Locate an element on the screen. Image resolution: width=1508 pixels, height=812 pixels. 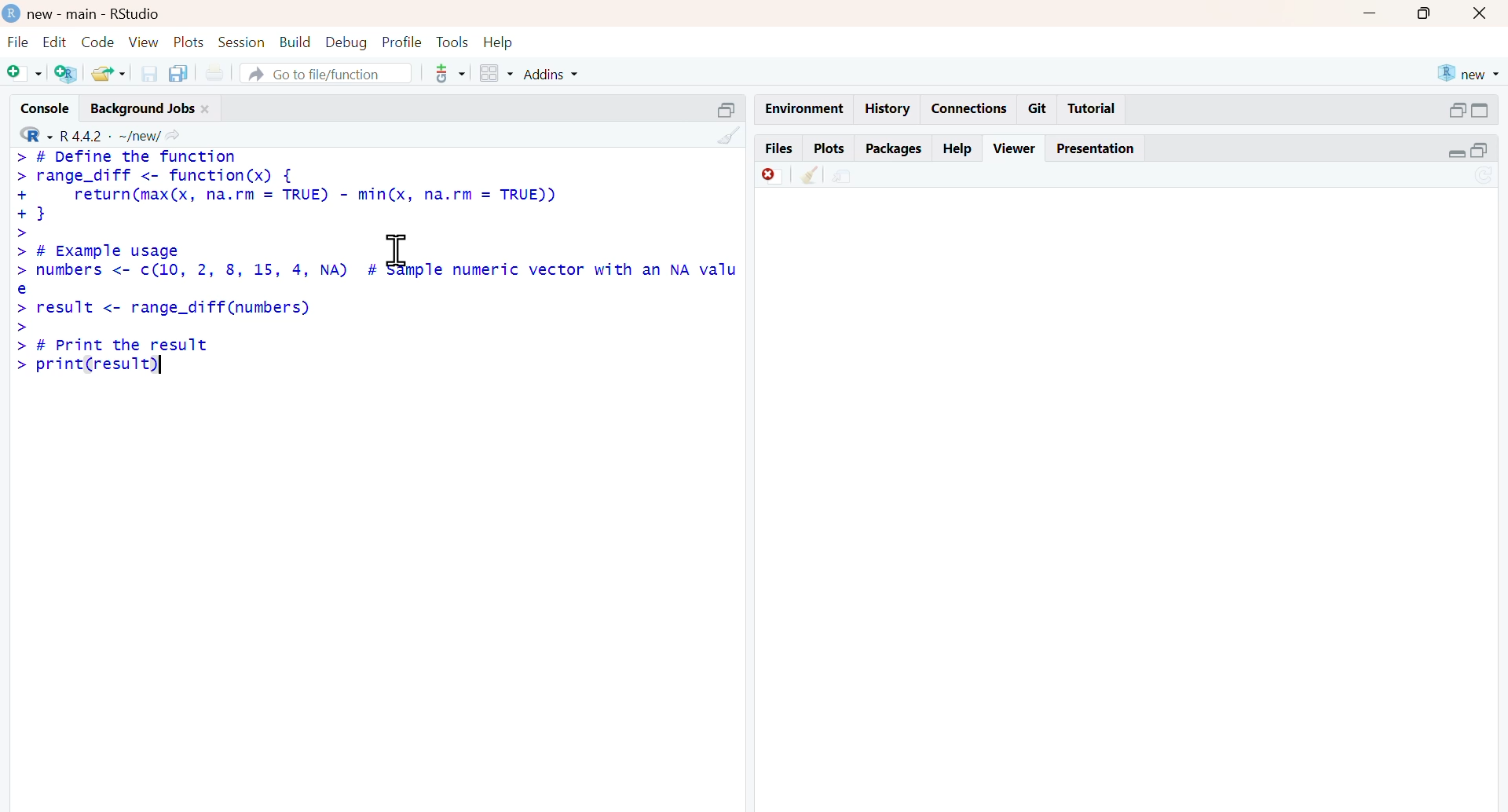
print is located at coordinates (215, 74).